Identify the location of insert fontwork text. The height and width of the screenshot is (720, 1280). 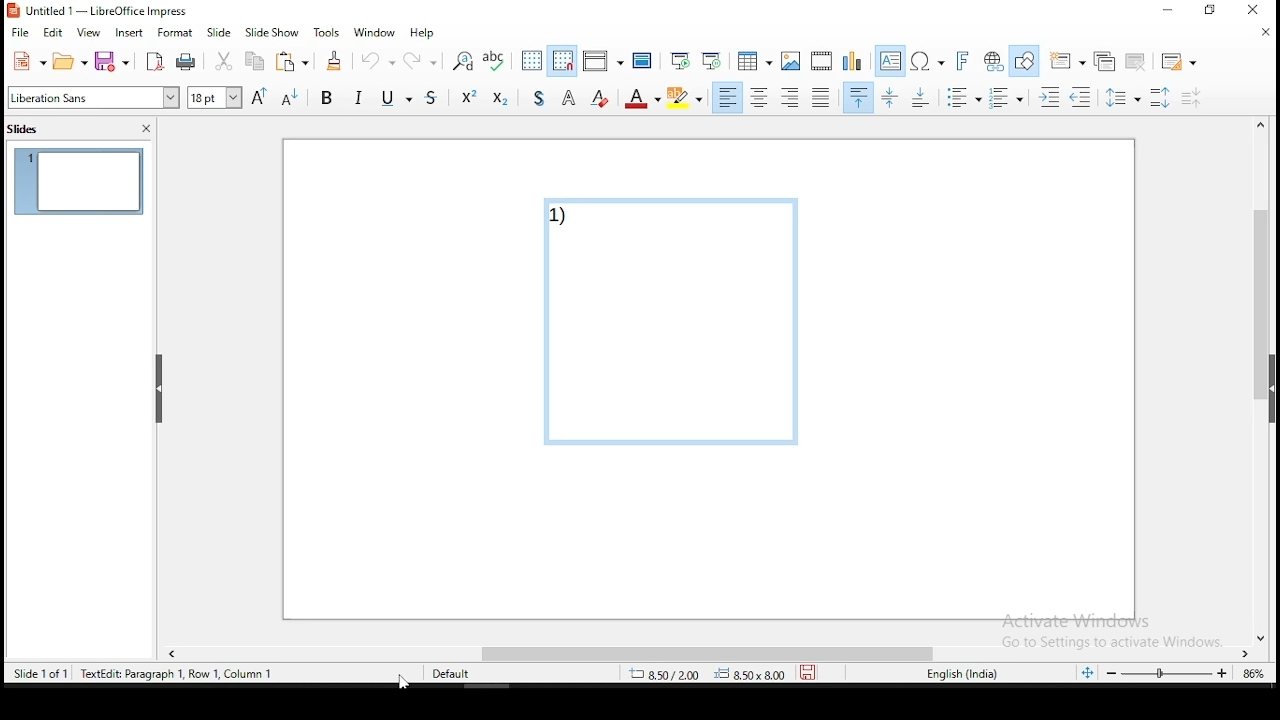
(962, 61).